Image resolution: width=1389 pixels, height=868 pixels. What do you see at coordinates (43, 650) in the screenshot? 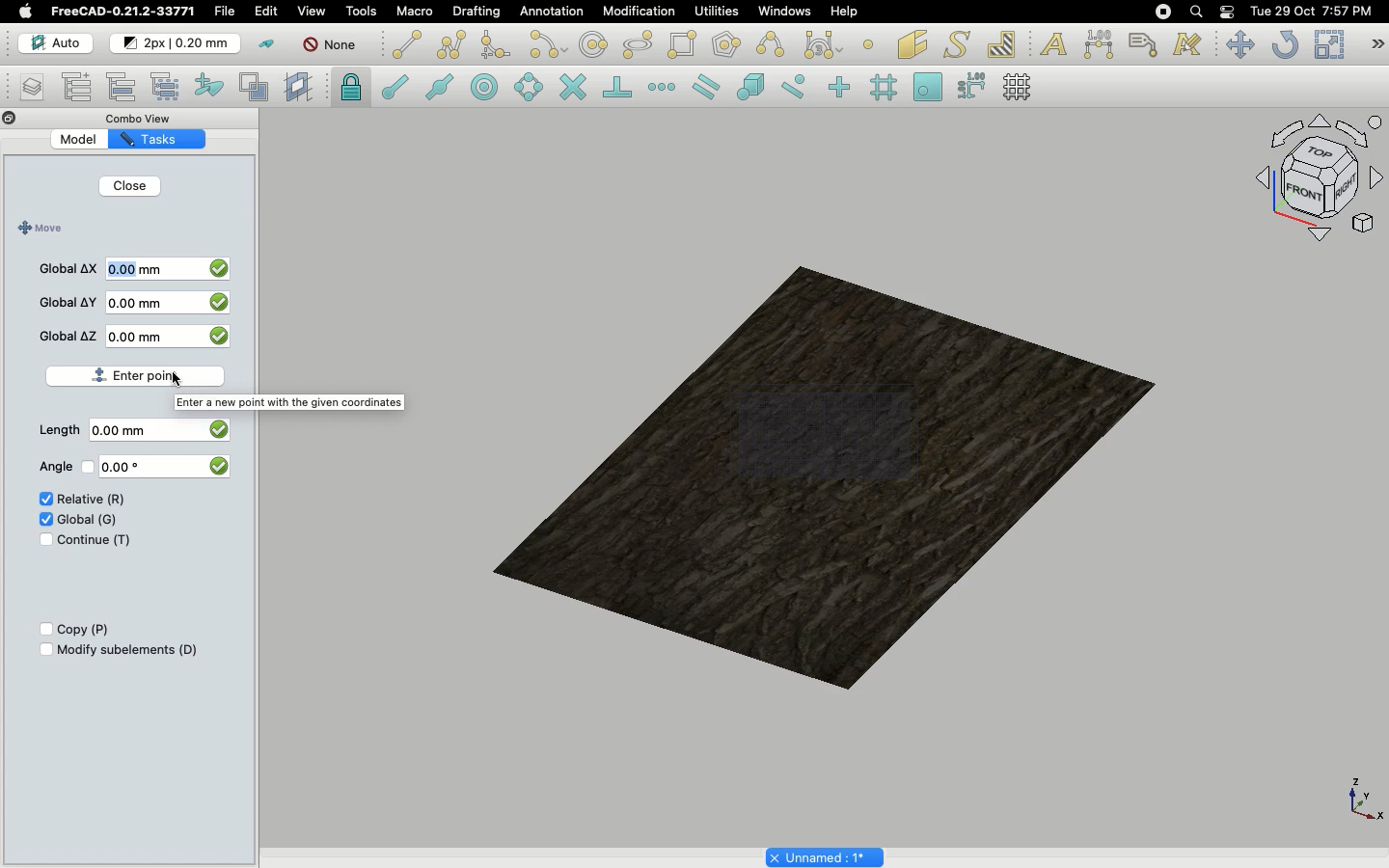
I see `Checkbox` at bounding box center [43, 650].